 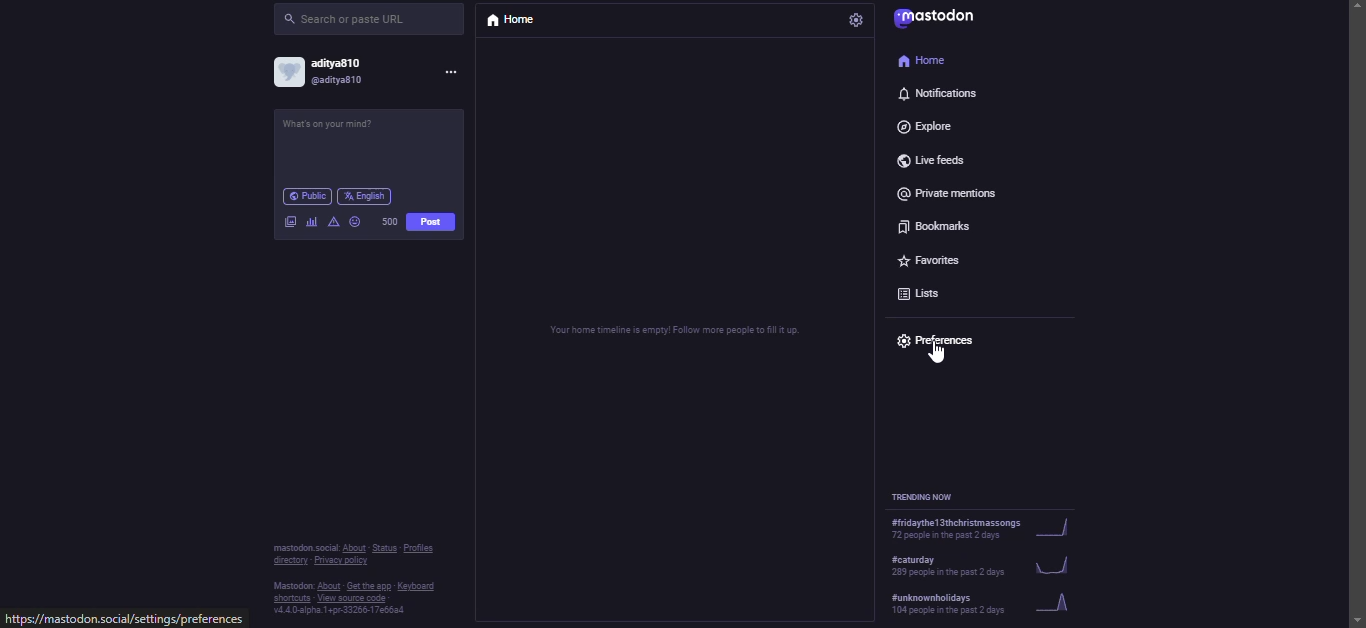 I want to click on account: aditya810, @aditya810, so click(x=325, y=73).